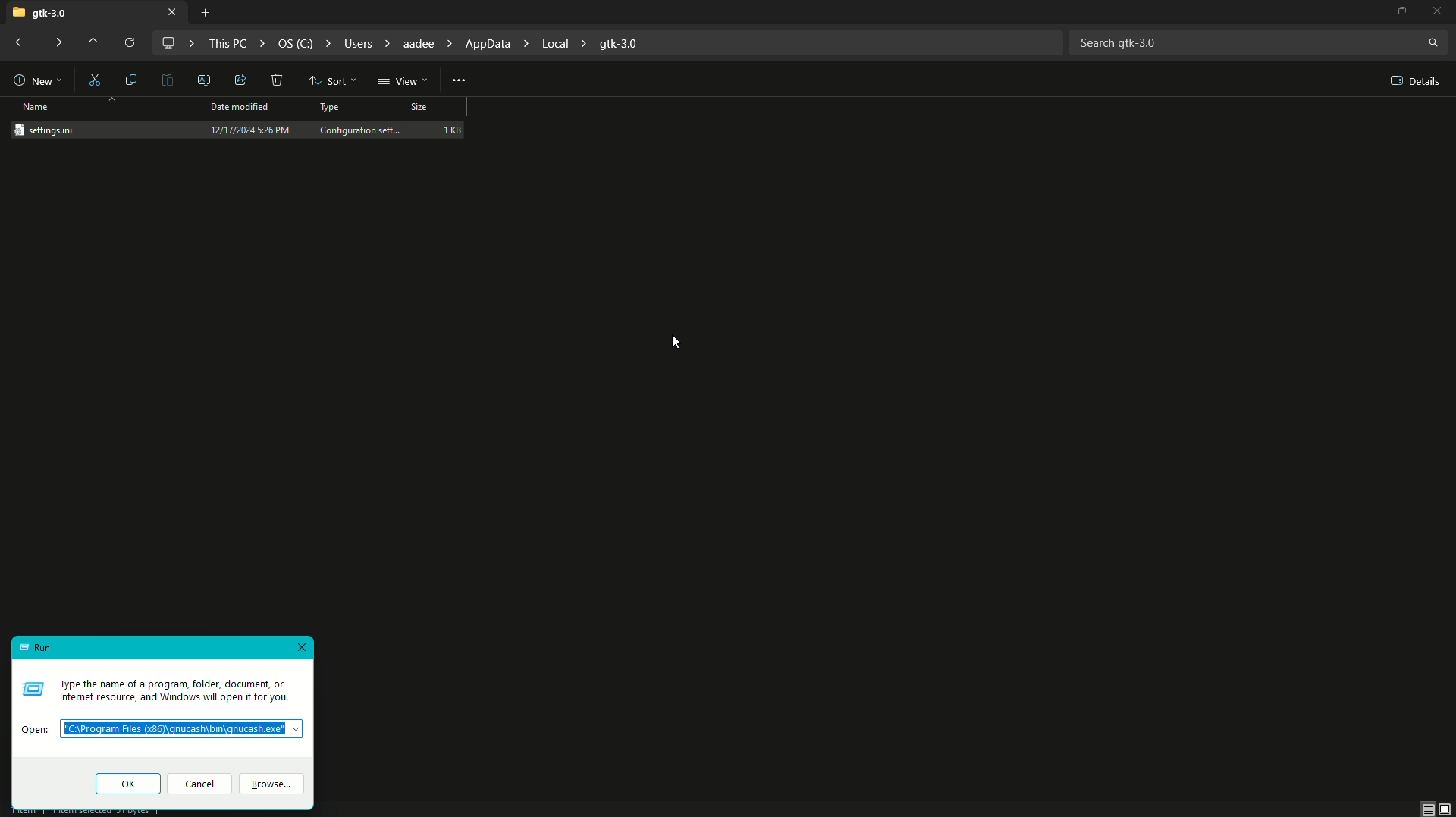 This screenshot has height=817, width=1456. What do you see at coordinates (206, 79) in the screenshot?
I see `Edit` at bounding box center [206, 79].